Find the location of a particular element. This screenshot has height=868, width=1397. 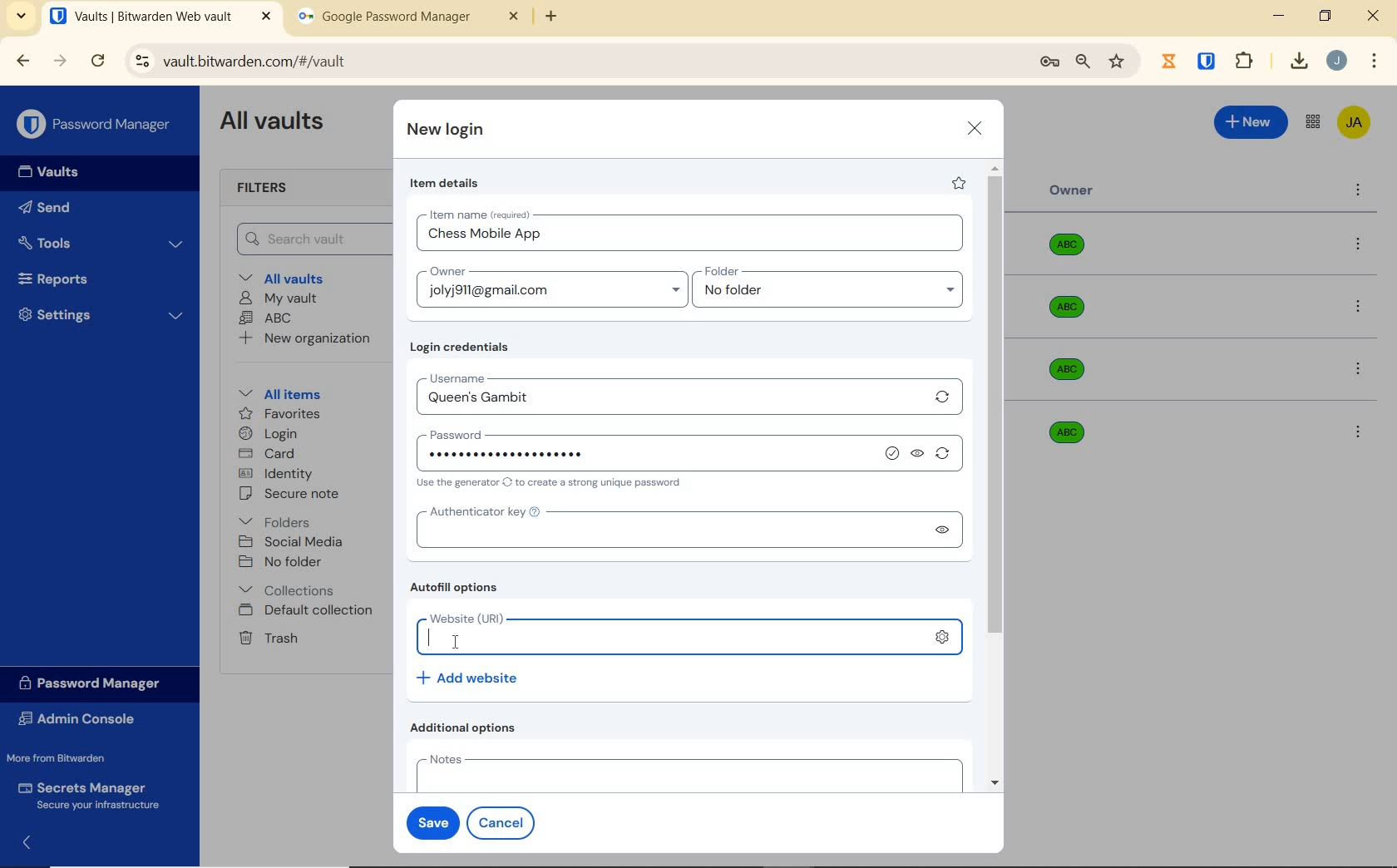

option is located at coordinates (1361, 308).